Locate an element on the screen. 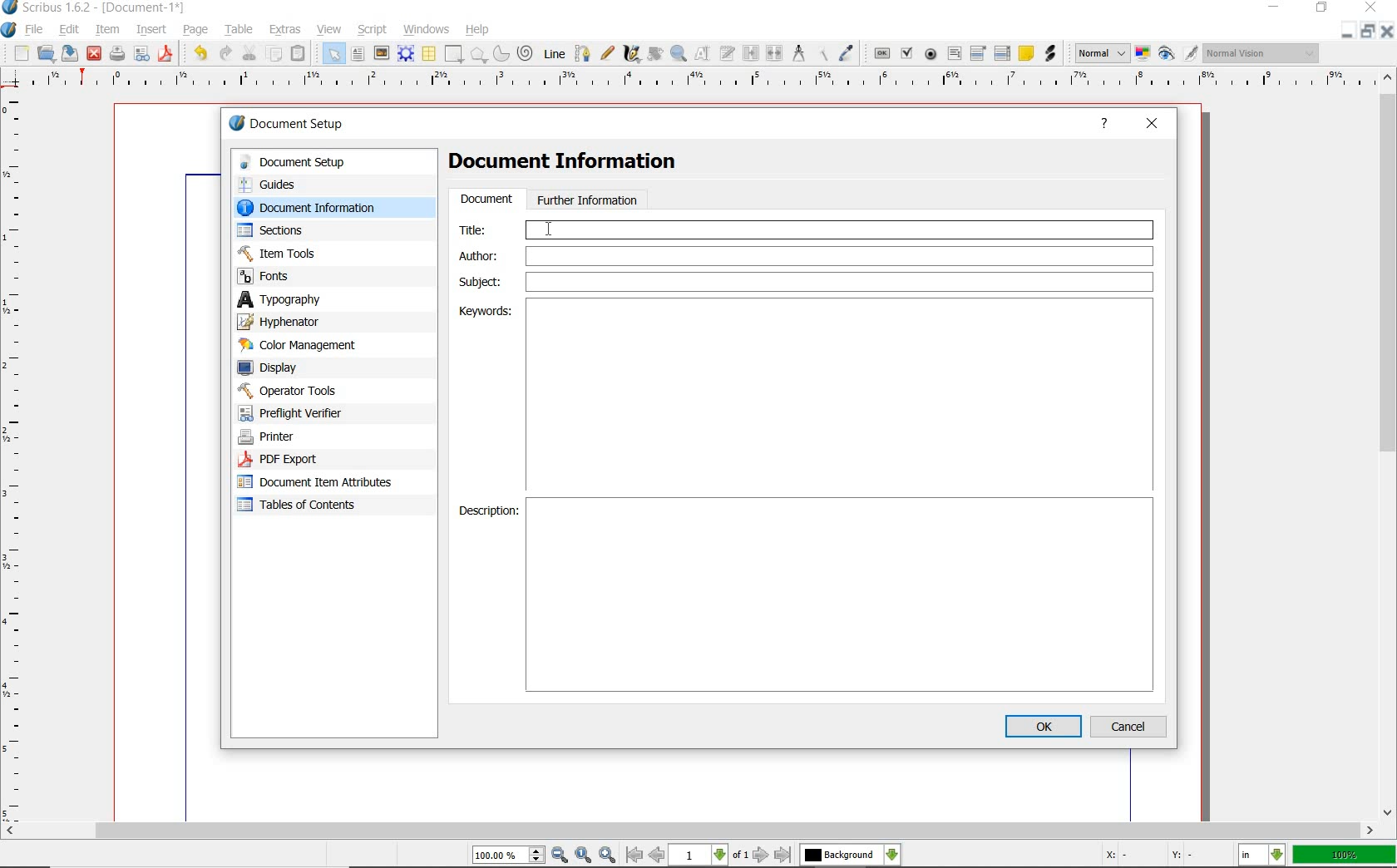 The height and width of the screenshot is (868, 1397). zoom in or zoom out is located at coordinates (679, 55).